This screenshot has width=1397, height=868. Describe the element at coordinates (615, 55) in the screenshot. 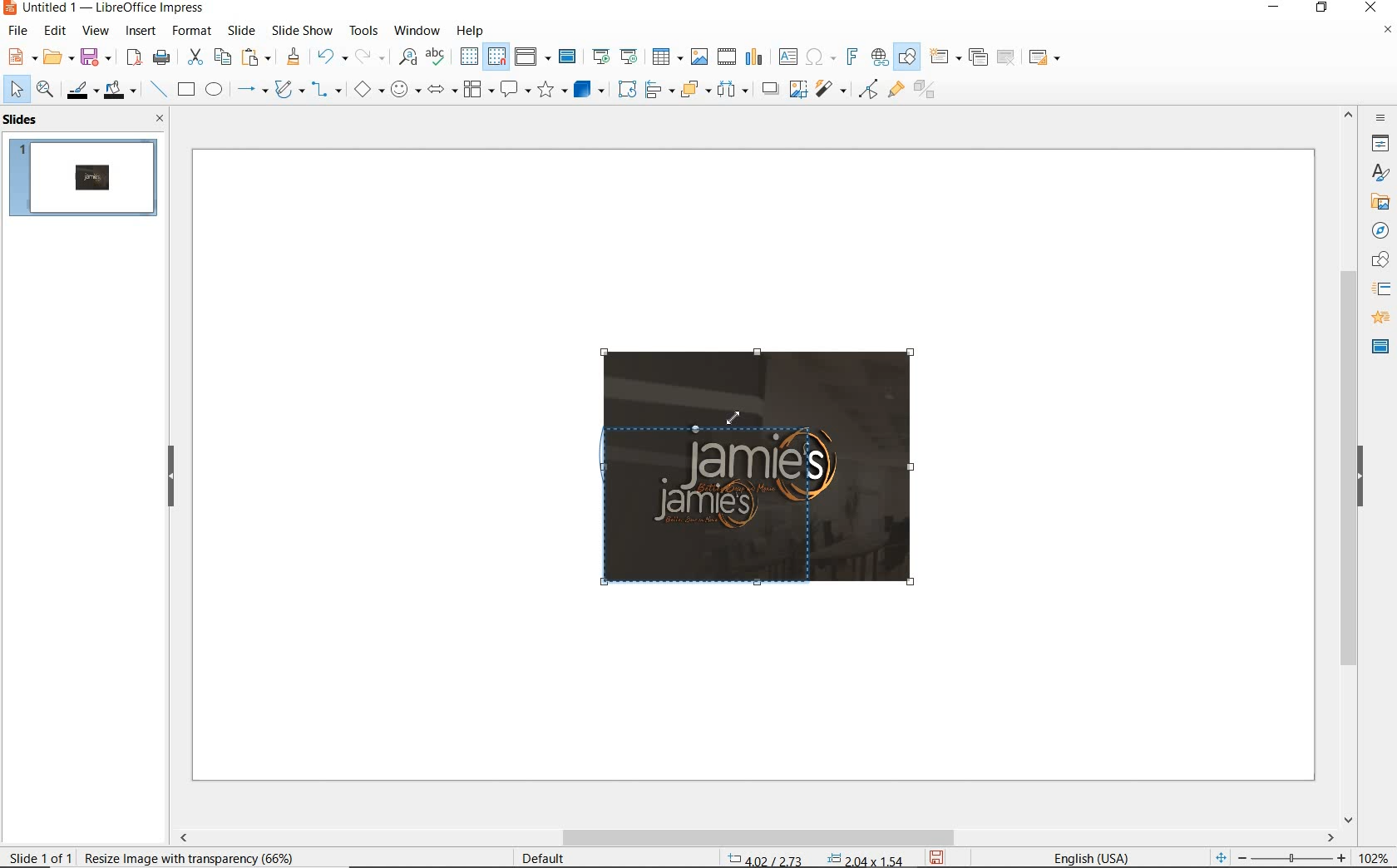

I see `start from first/current slide` at that location.